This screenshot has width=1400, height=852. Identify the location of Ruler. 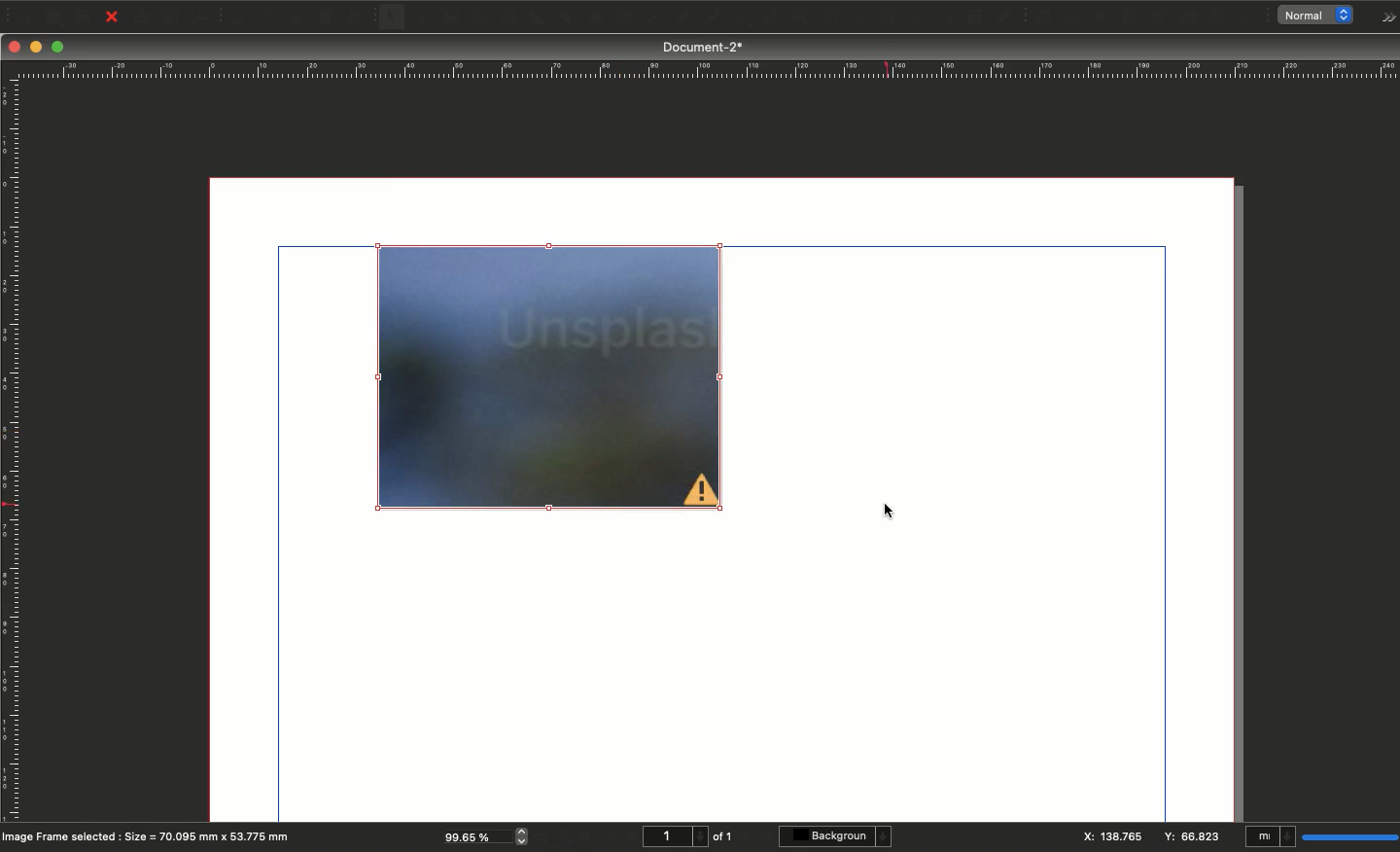
(705, 70).